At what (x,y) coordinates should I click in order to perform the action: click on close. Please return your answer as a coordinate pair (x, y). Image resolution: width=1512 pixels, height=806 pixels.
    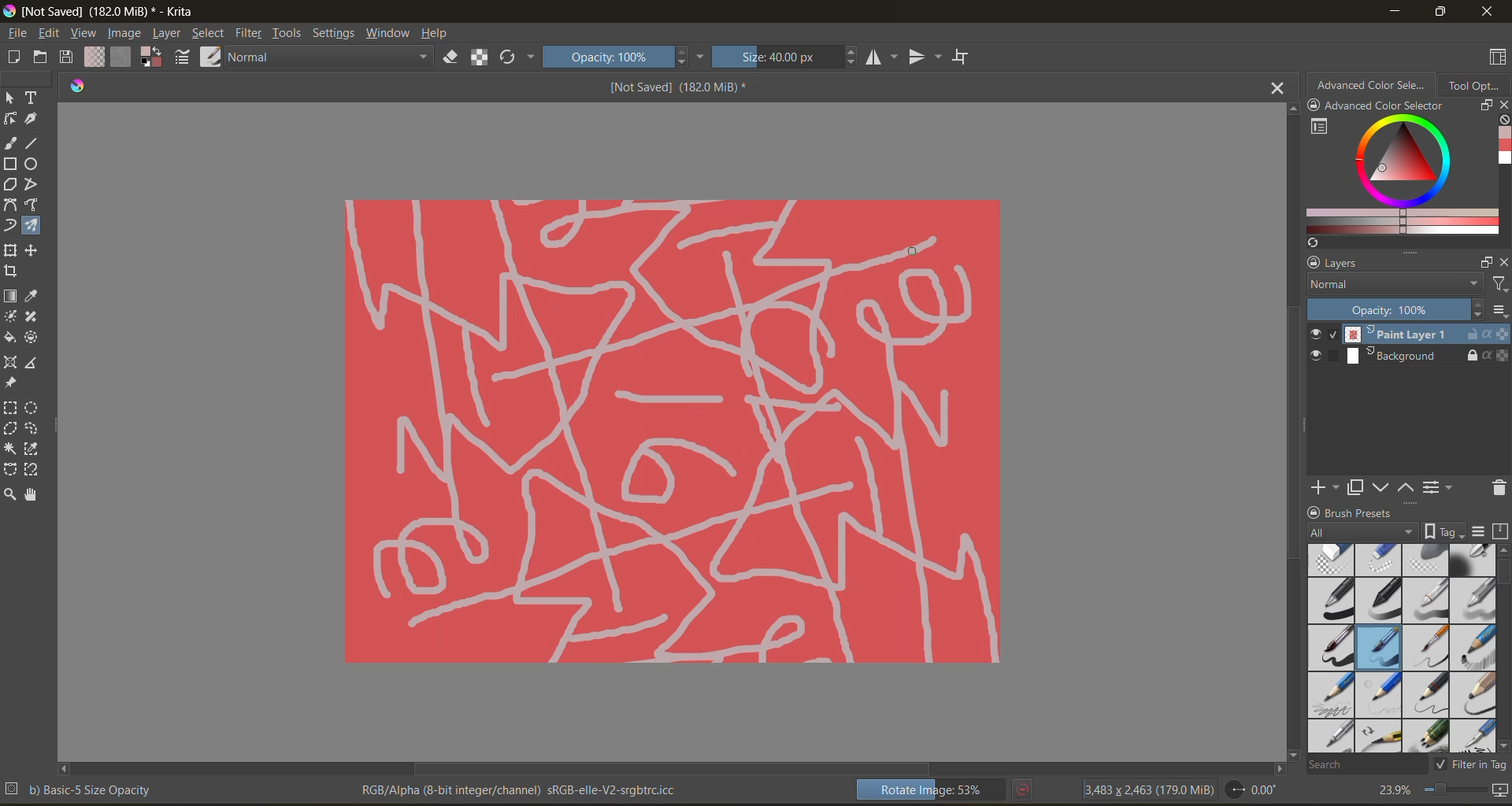
    Looking at the image, I should click on (1489, 13).